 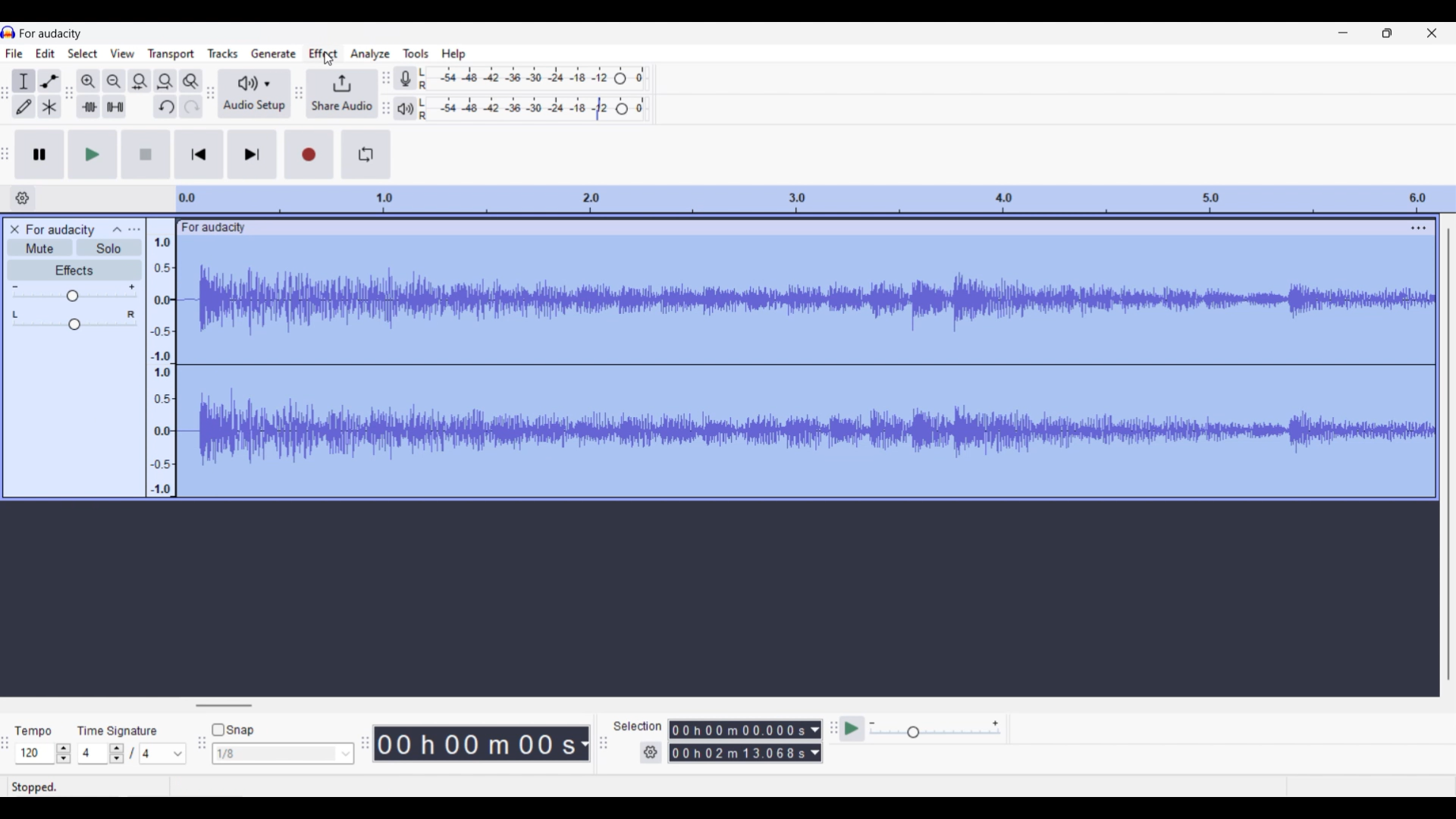 I want to click on Stopped., so click(x=187, y=787).